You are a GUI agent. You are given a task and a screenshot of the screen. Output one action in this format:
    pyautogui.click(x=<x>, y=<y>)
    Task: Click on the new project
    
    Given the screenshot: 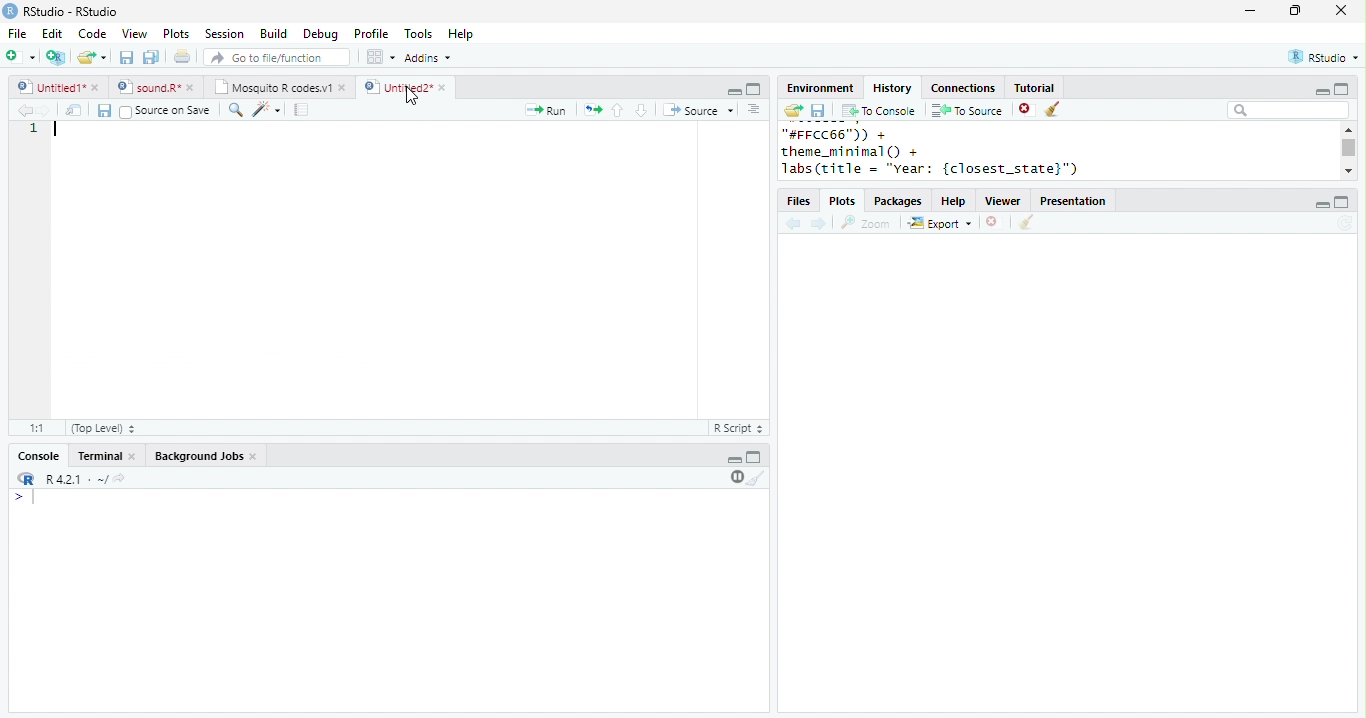 What is the action you would take?
    pyautogui.click(x=57, y=57)
    